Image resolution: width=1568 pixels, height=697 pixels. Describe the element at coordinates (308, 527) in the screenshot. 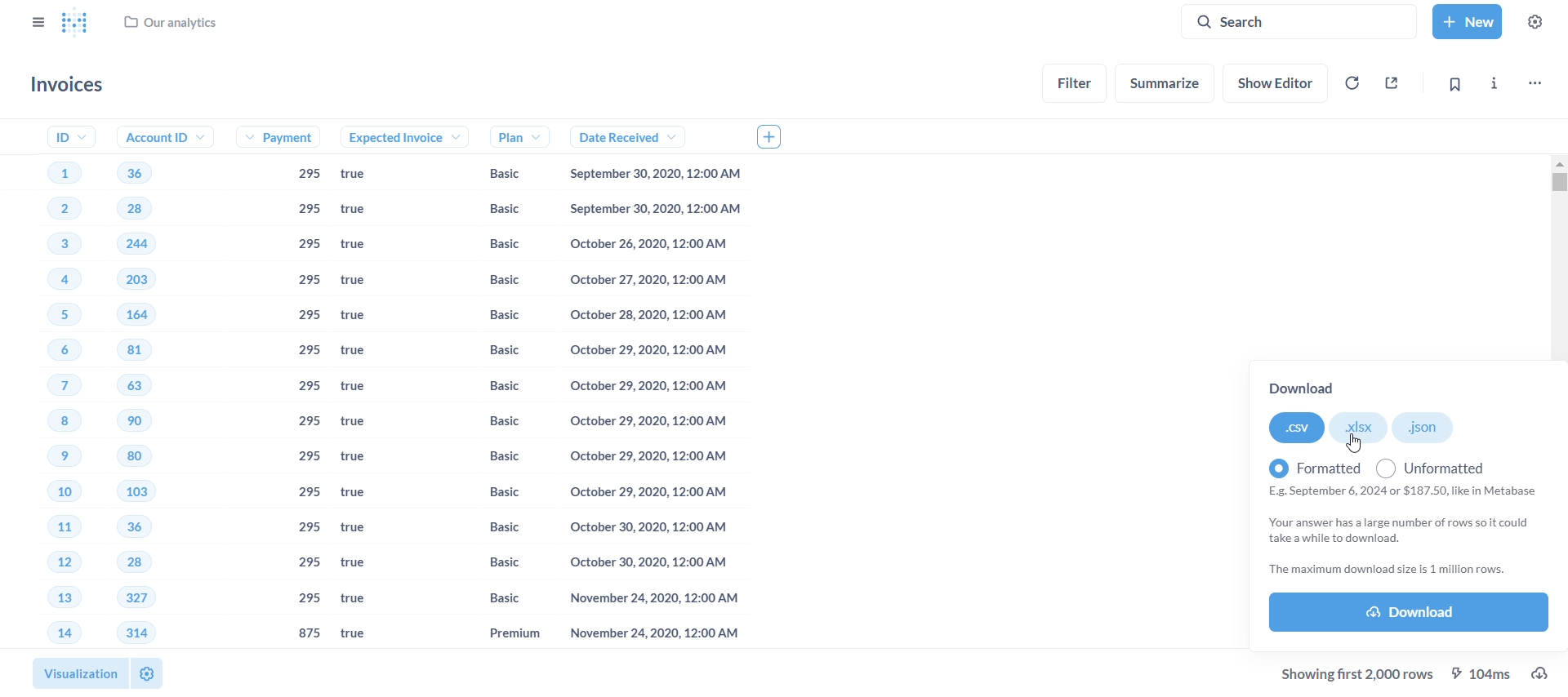

I see `295` at that location.